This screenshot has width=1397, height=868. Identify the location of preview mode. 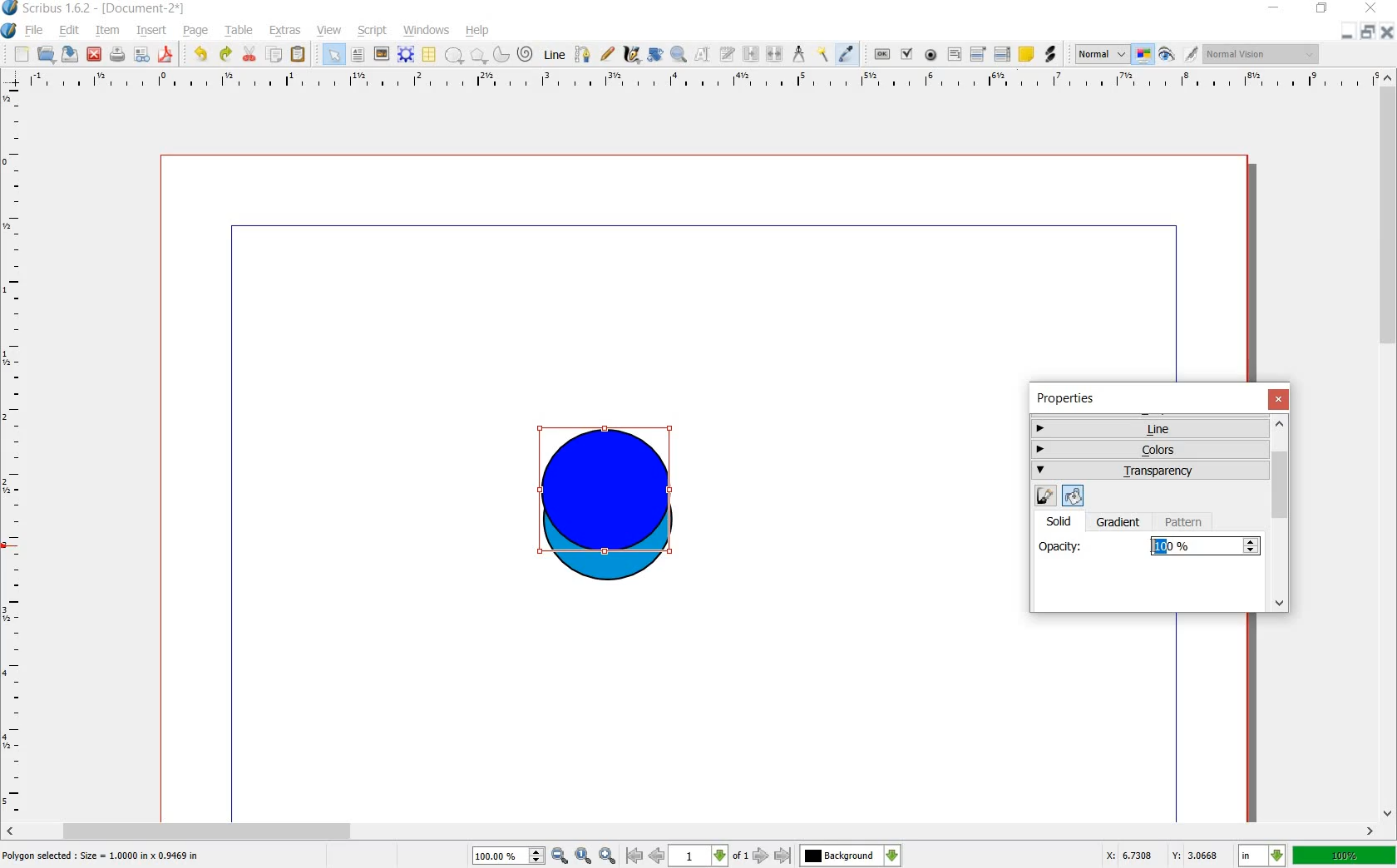
(1166, 57).